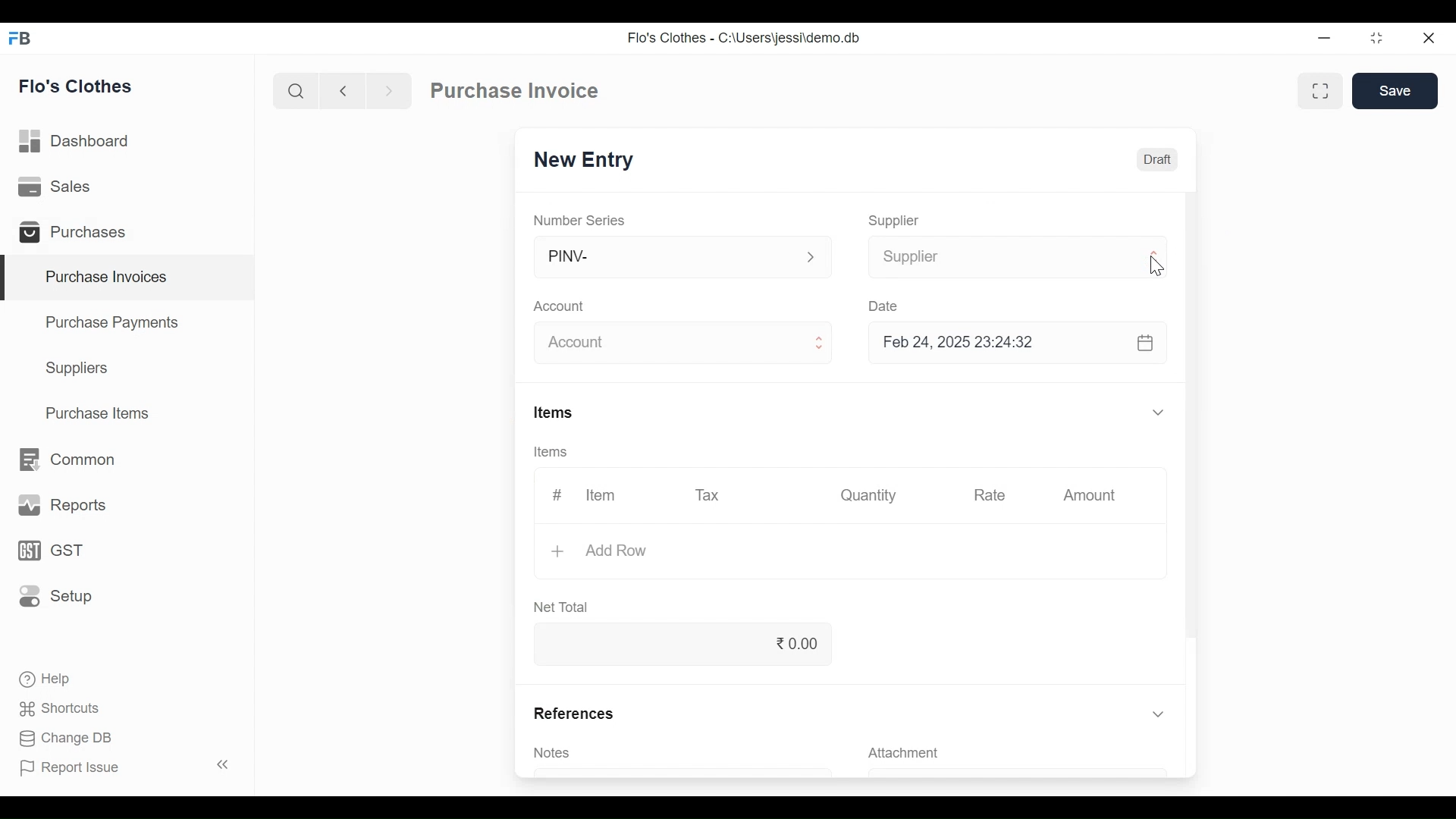 The image size is (1456, 819). I want to click on Flo's Clothes - C:\Users\jessi\demo.db, so click(746, 36).